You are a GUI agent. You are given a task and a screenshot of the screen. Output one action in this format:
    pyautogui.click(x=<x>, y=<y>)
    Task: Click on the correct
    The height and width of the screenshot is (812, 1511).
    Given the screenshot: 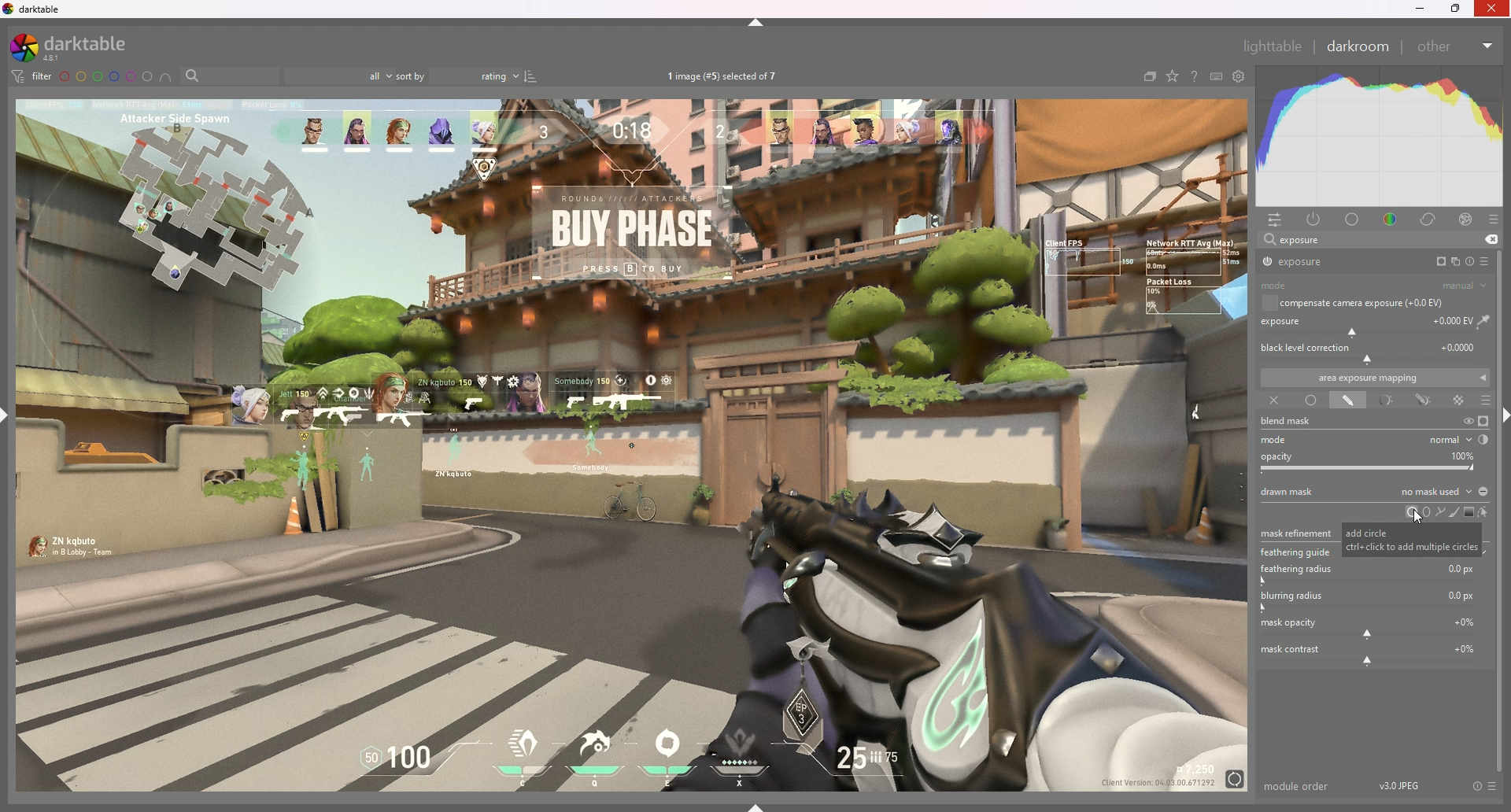 What is the action you would take?
    pyautogui.click(x=1430, y=220)
    